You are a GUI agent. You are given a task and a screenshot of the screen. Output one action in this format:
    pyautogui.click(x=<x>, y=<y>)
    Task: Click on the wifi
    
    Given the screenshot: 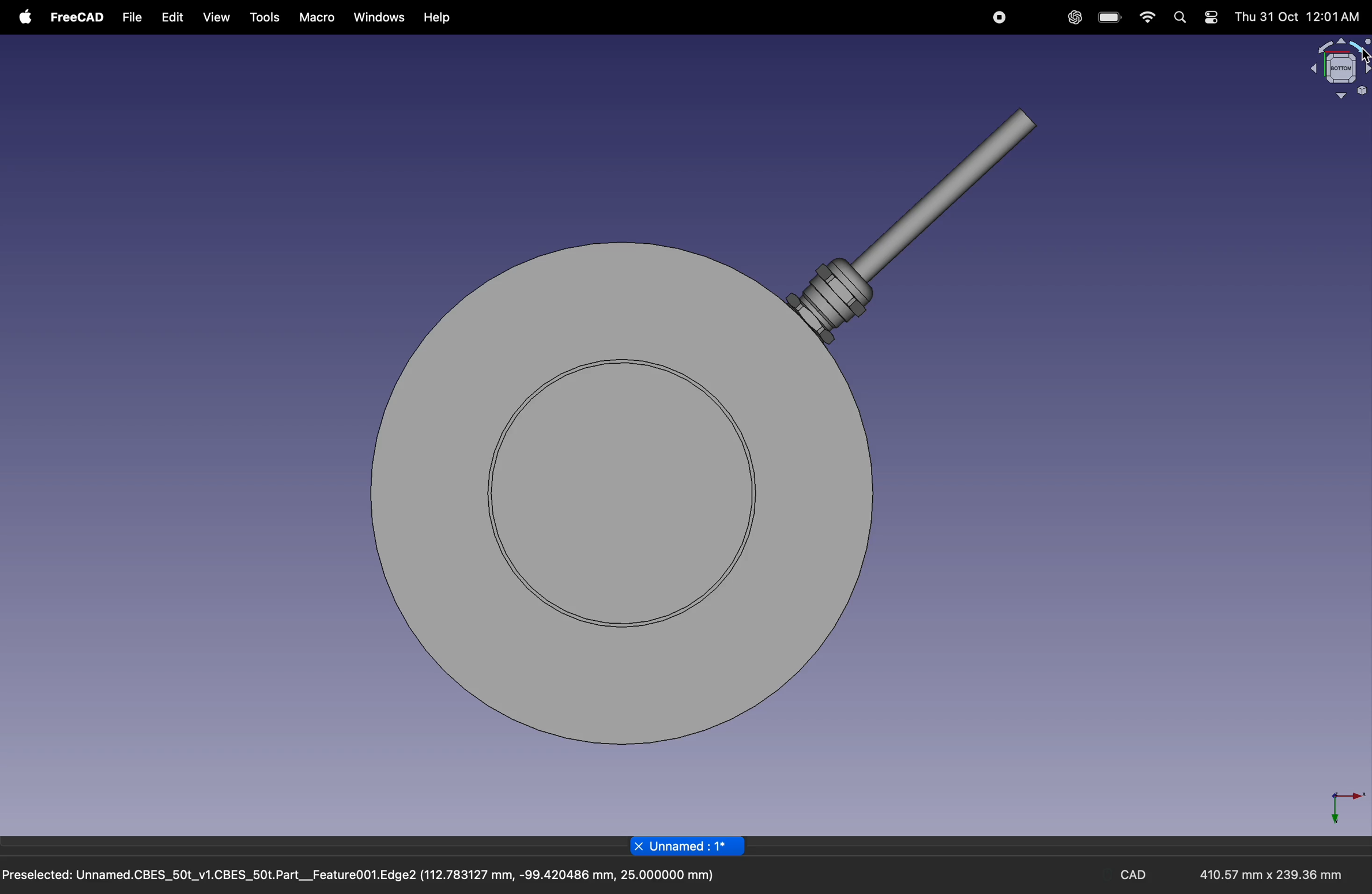 What is the action you would take?
    pyautogui.click(x=1147, y=18)
    